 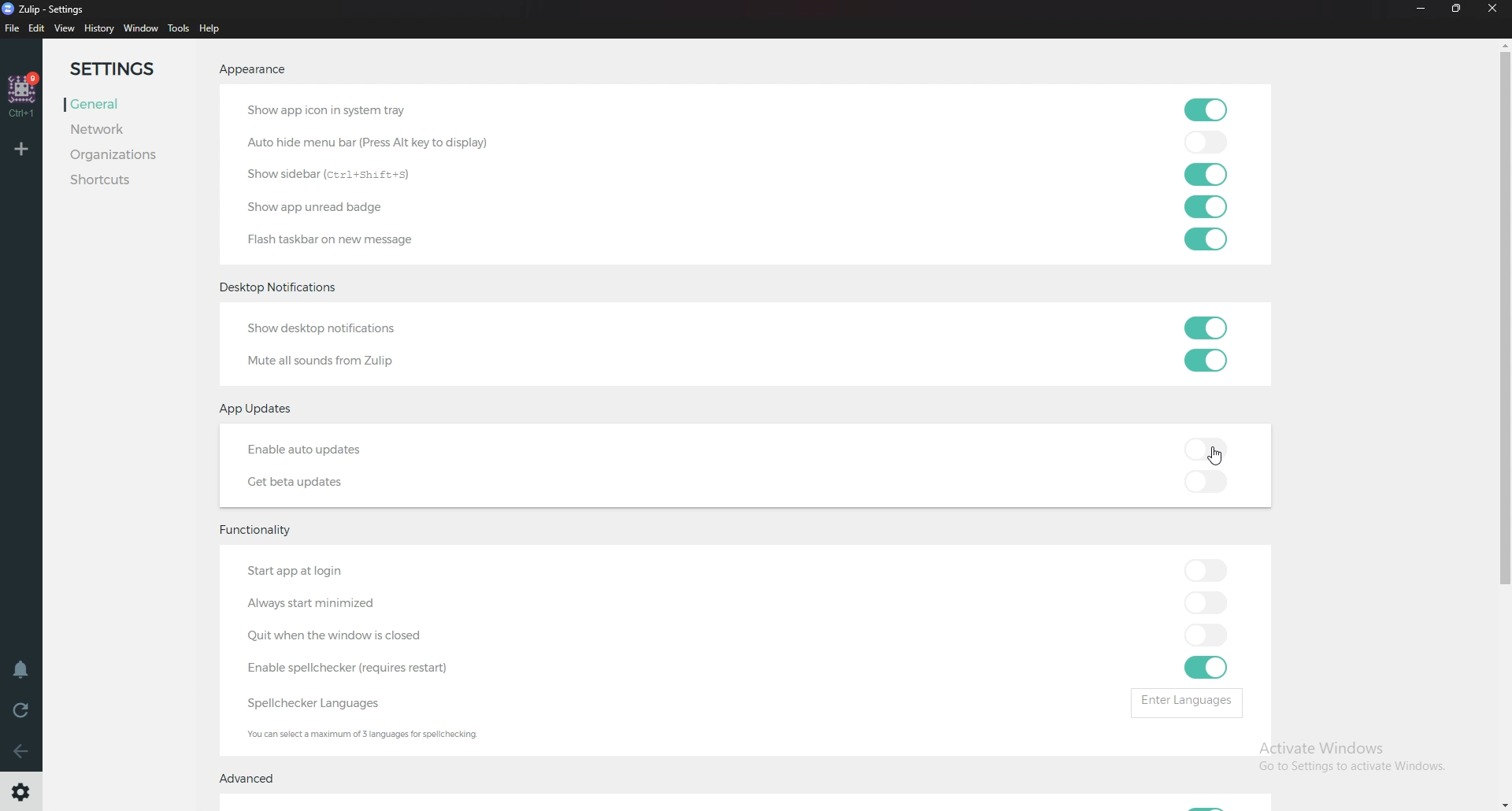 I want to click on History, so click(x=99, y=30).